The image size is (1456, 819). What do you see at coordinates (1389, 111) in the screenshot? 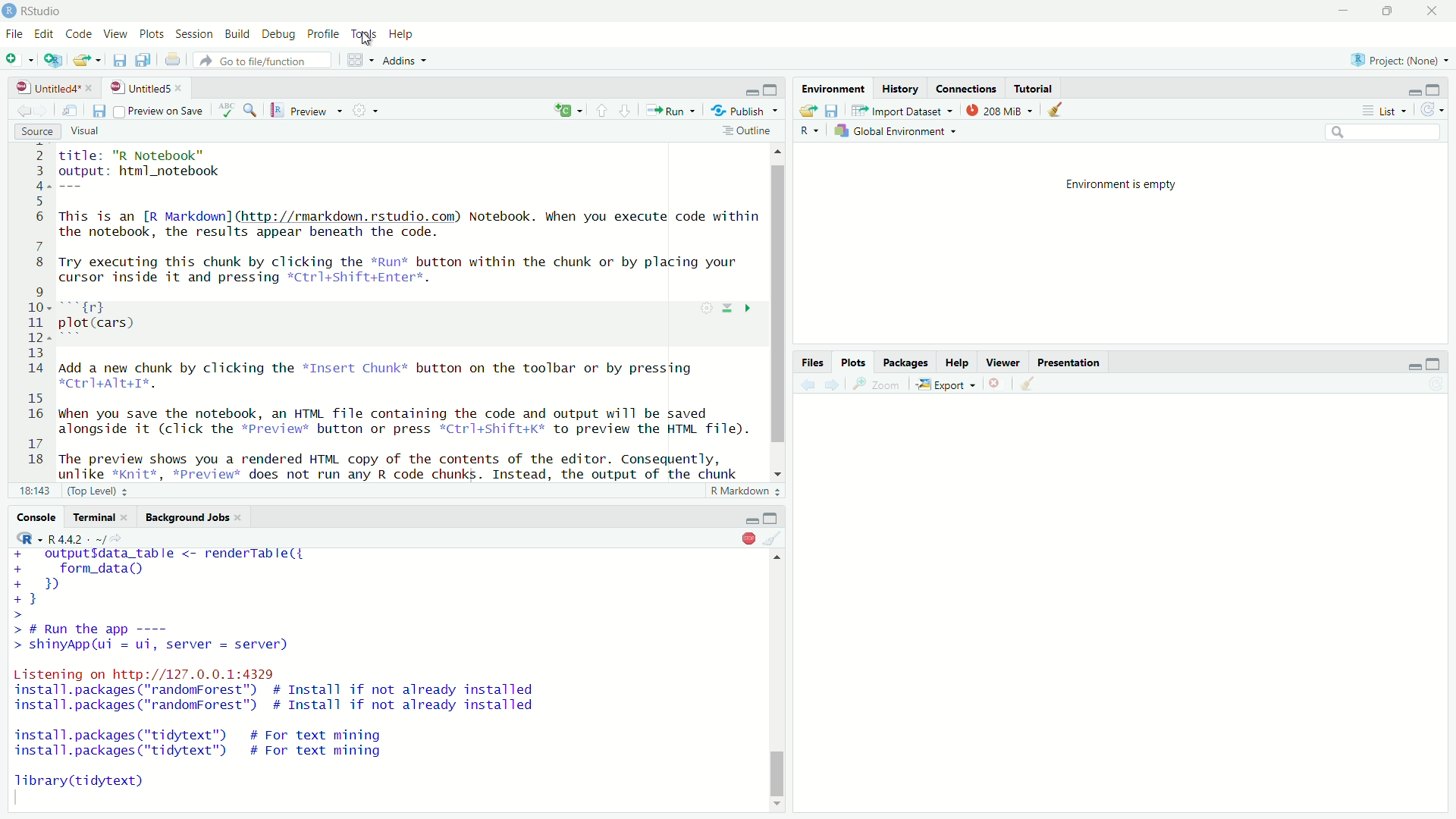
I see `List` at bounding box center [1389, 111].